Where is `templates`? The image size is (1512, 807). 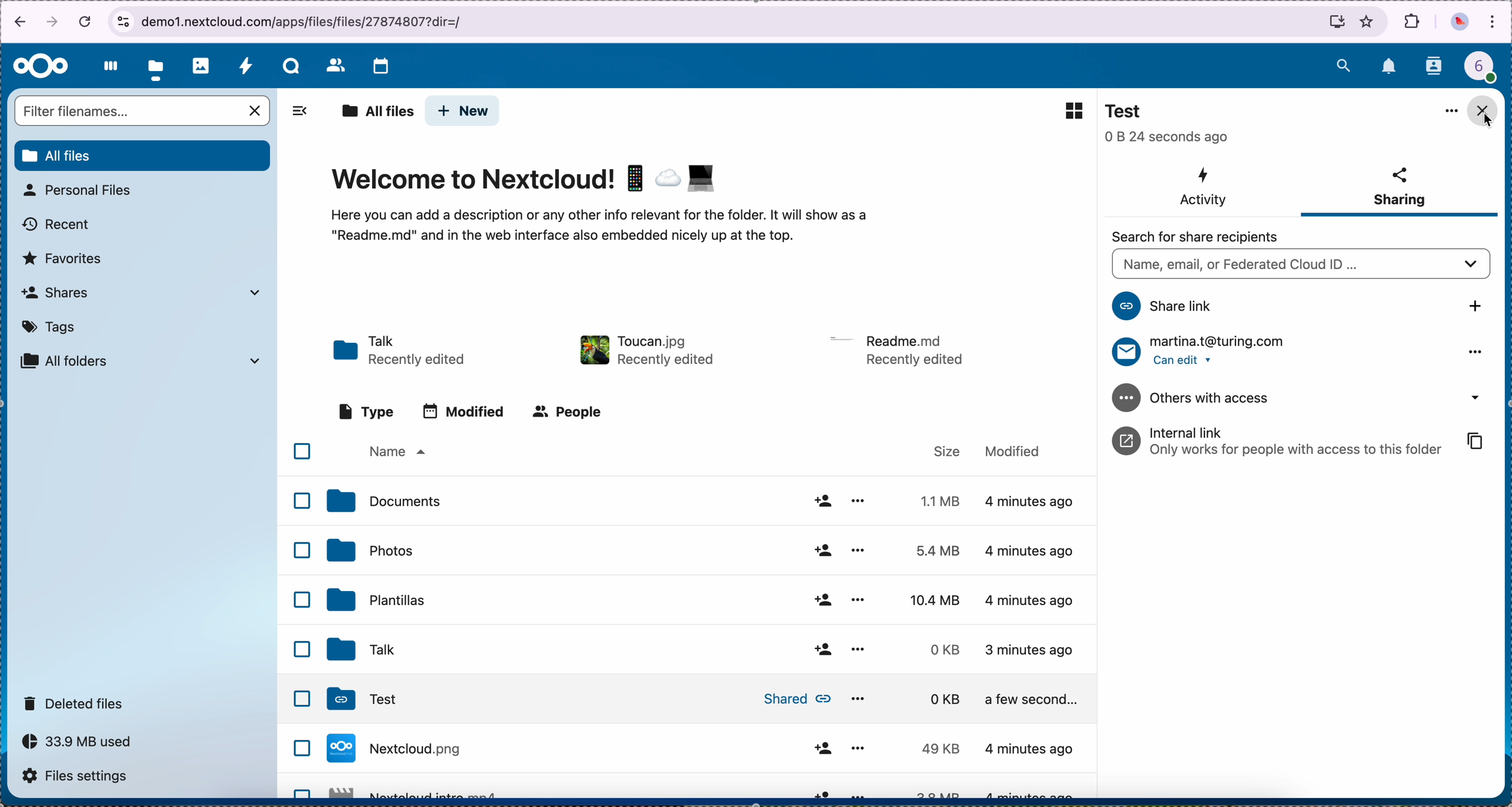 templates is located at coordinates (703, 597).